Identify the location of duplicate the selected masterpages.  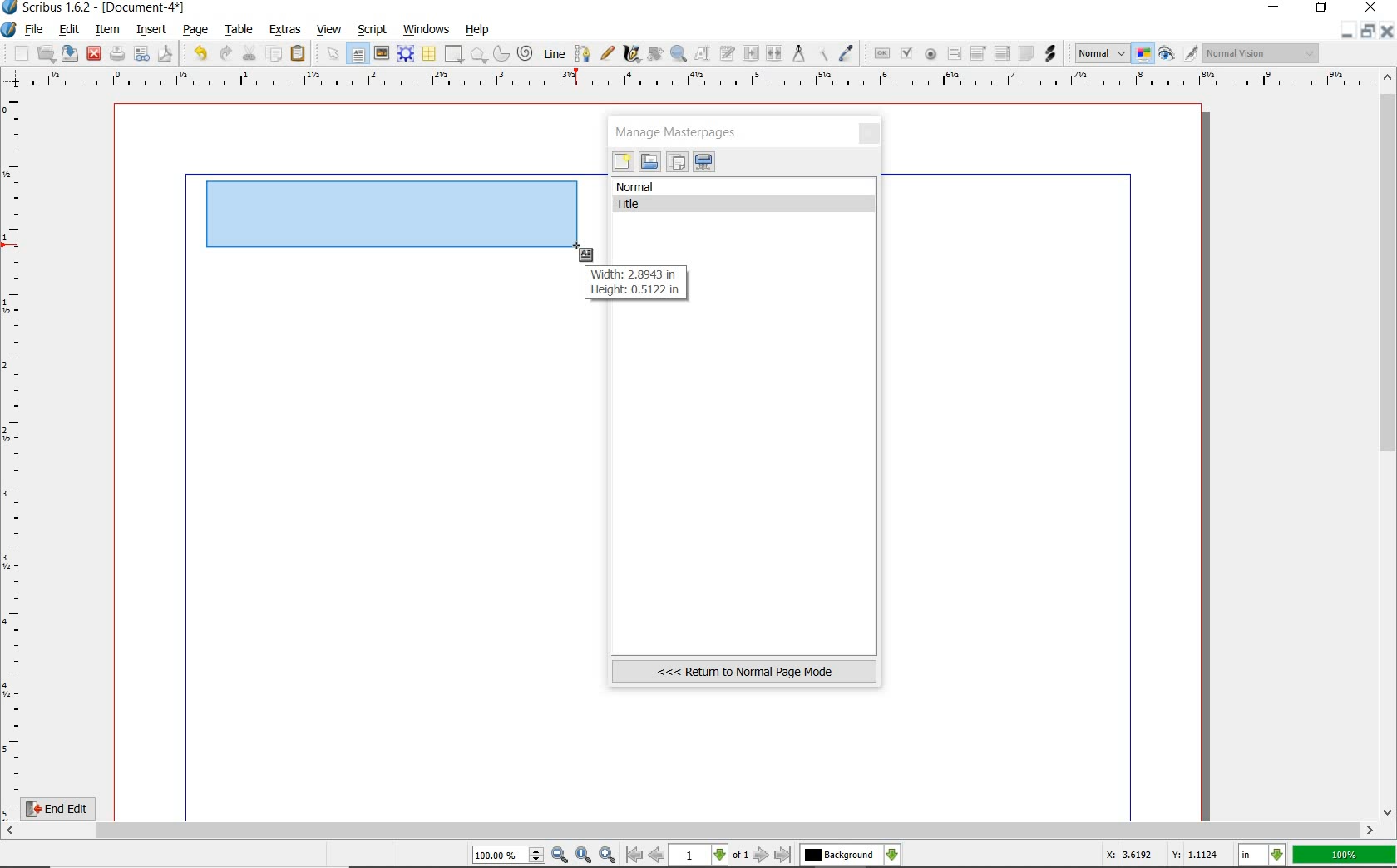
(677, 164).